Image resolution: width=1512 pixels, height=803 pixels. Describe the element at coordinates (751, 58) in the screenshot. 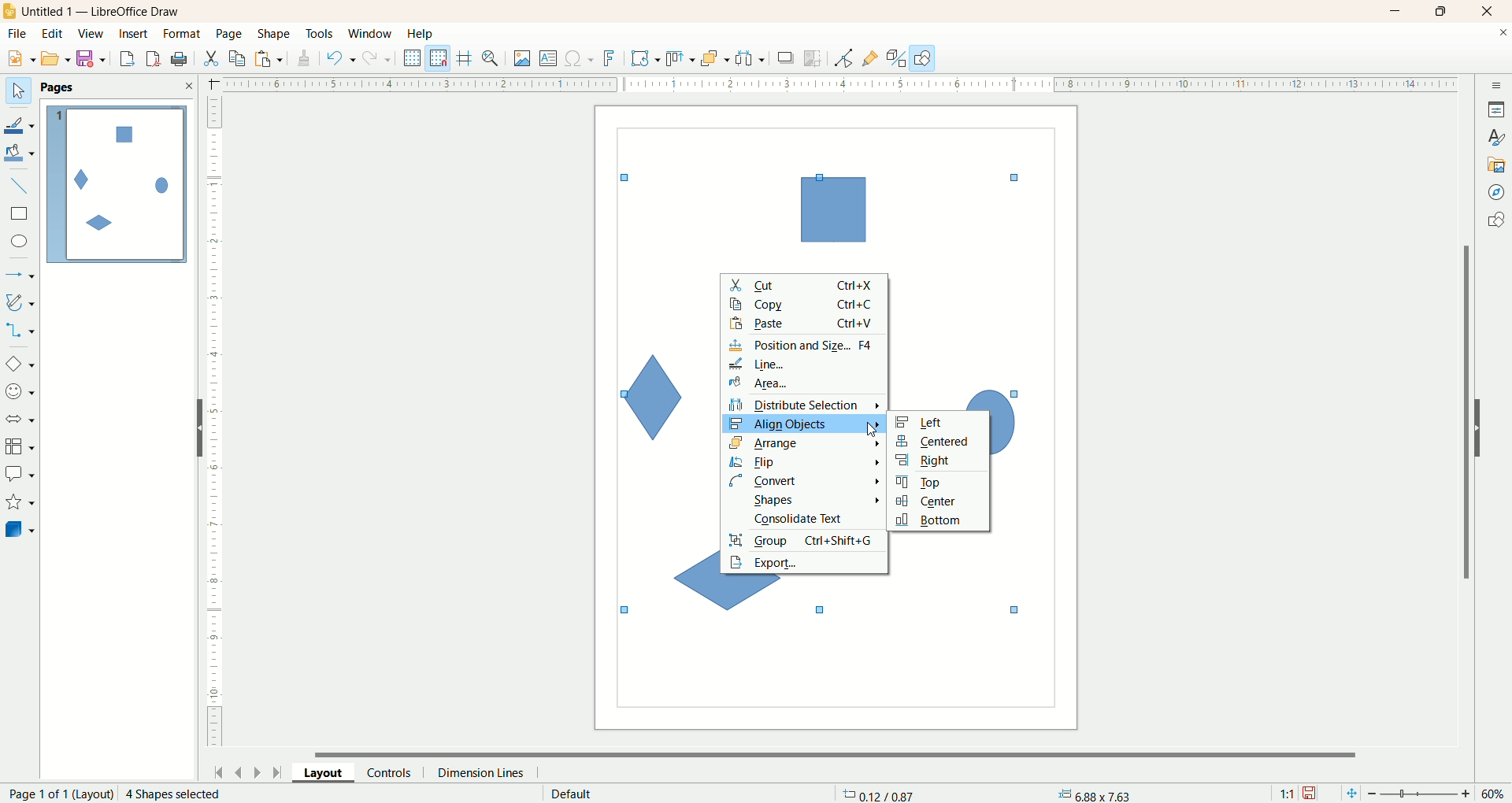

I see `select at least three objects to distribute` at that location.